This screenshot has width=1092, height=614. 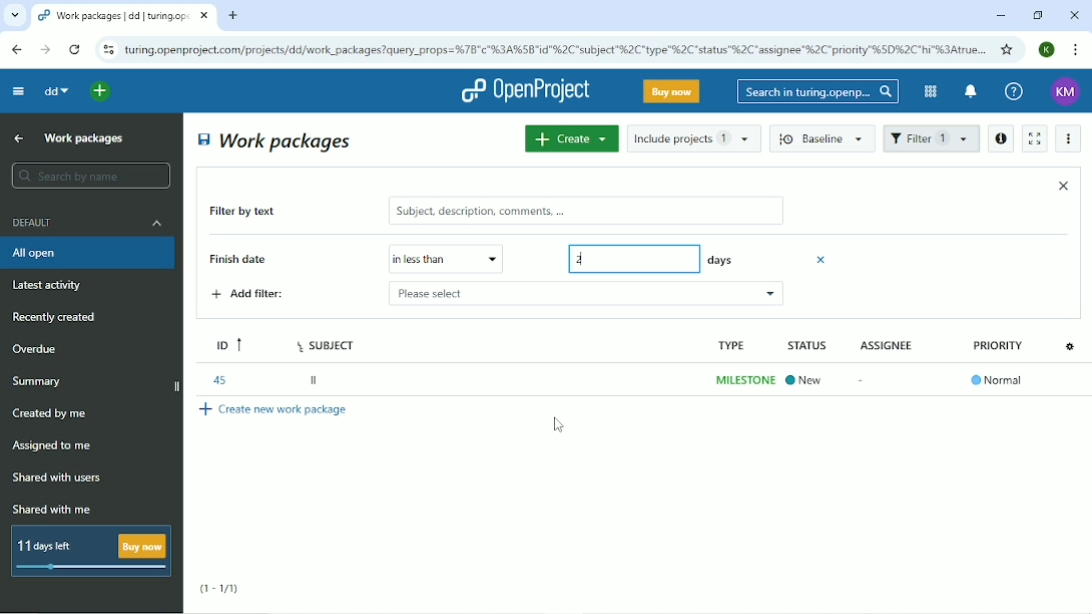 What do you see at coordinates (995, 344) in the screenshot?
I see `PRIORITY` at bounding box center [995, 344].